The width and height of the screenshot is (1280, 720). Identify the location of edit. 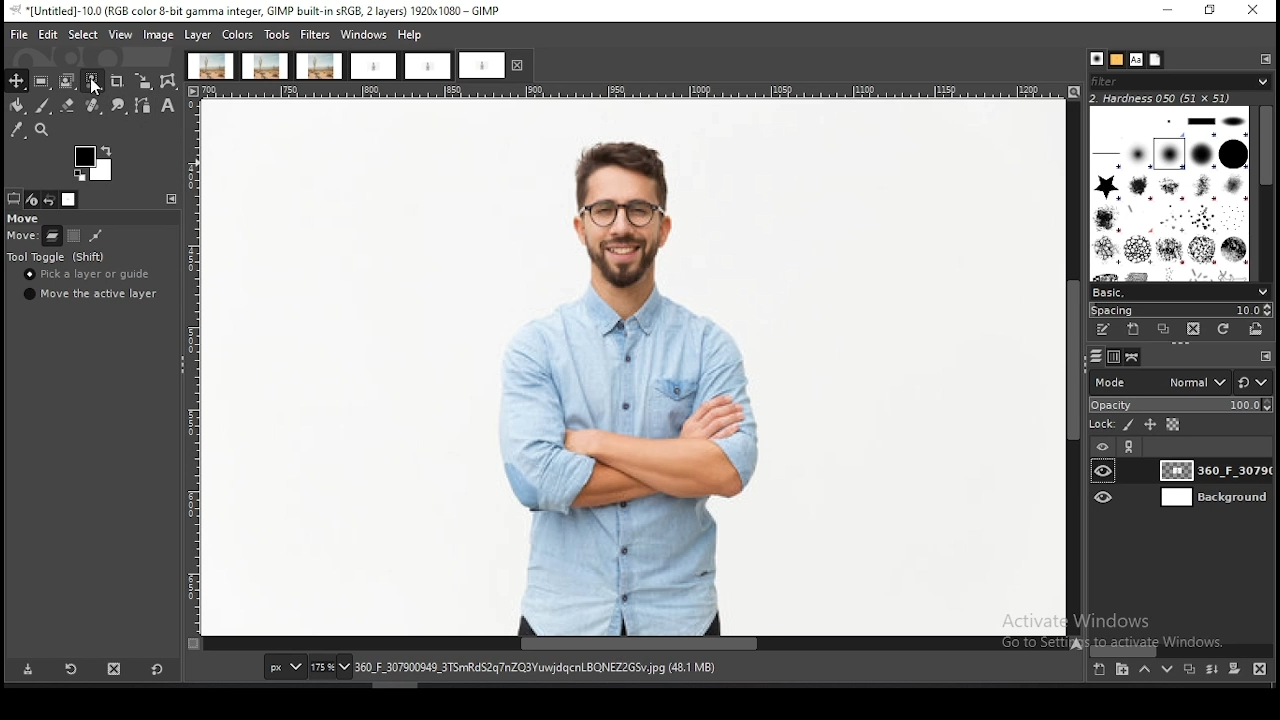
(49, 34).